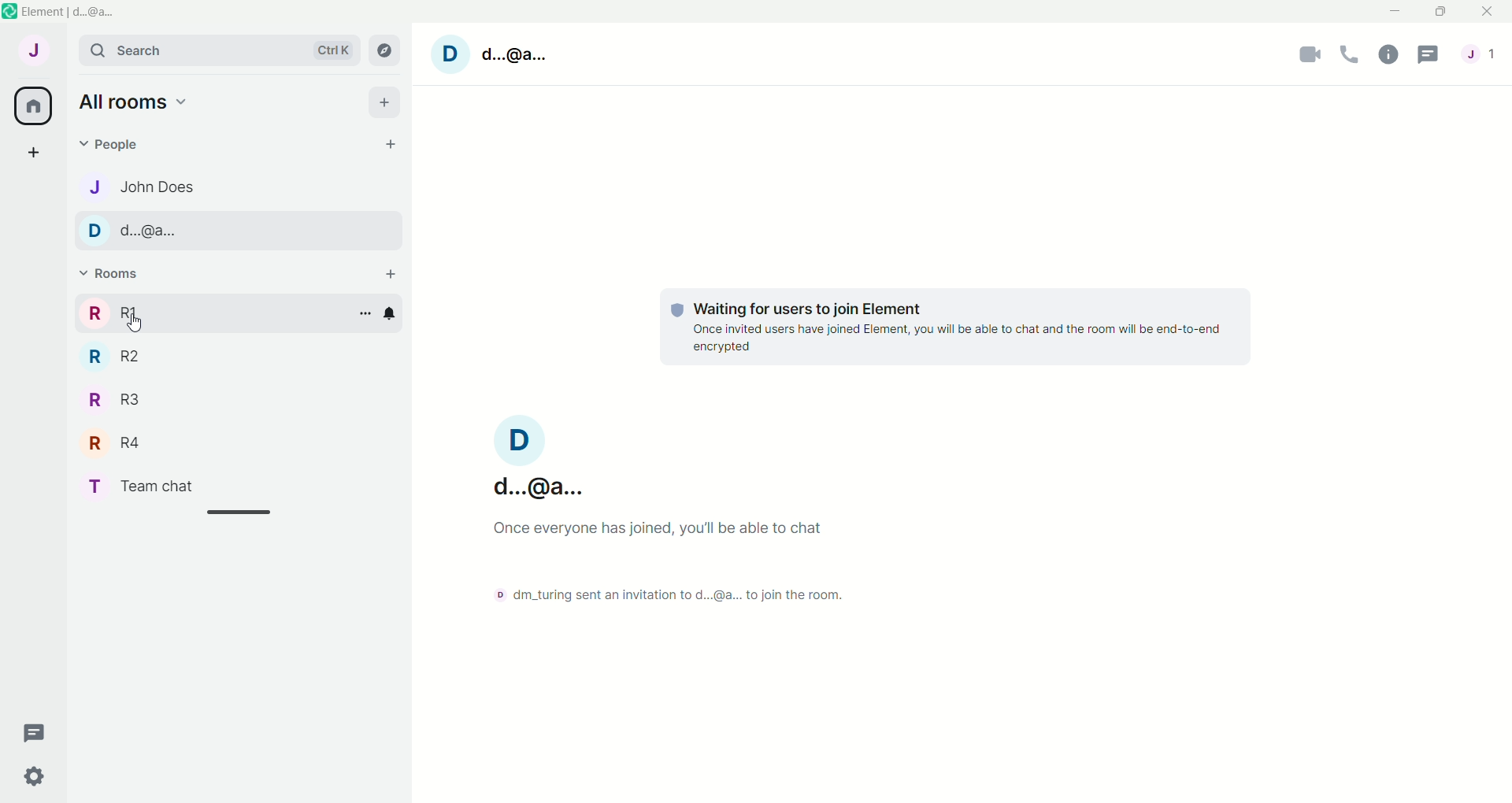 The height and width of the screenshot is (803, 1512). What do you see at coordinates (113, 148) in the screenshot?
I see `people` at bounding box center [113, 148].